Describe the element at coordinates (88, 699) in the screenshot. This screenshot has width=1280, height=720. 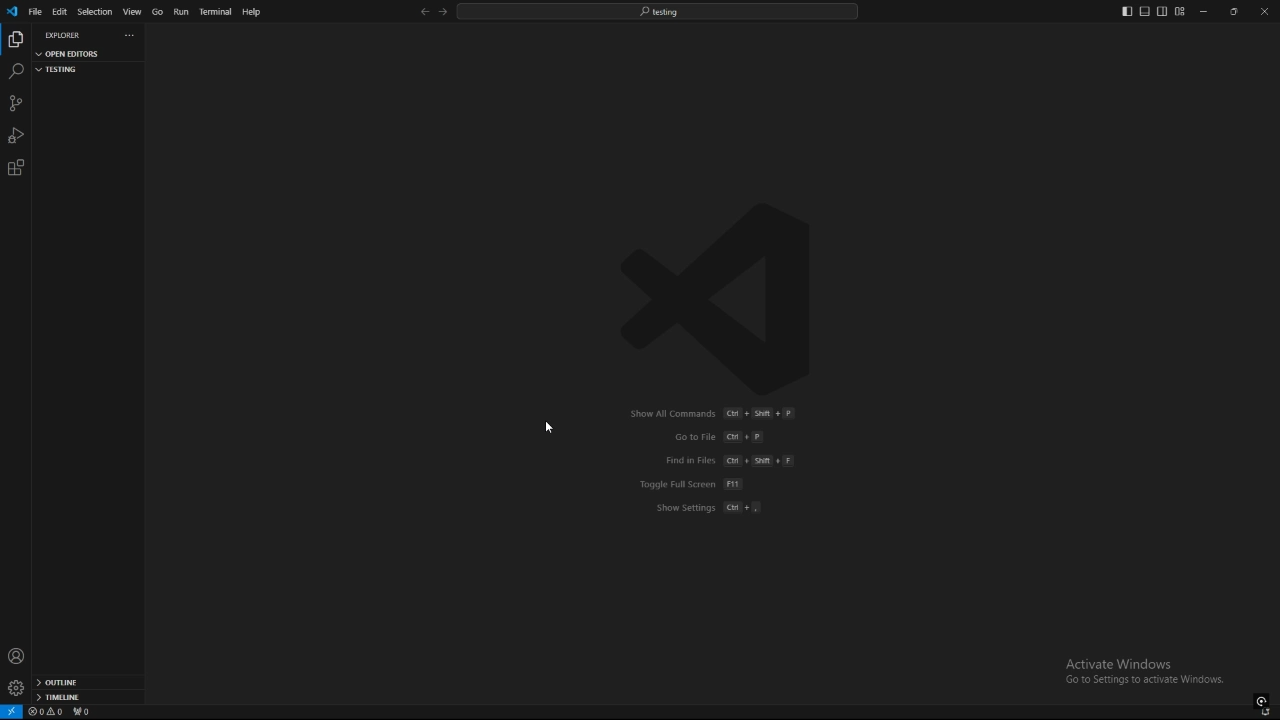
I see `timeline` at that location.